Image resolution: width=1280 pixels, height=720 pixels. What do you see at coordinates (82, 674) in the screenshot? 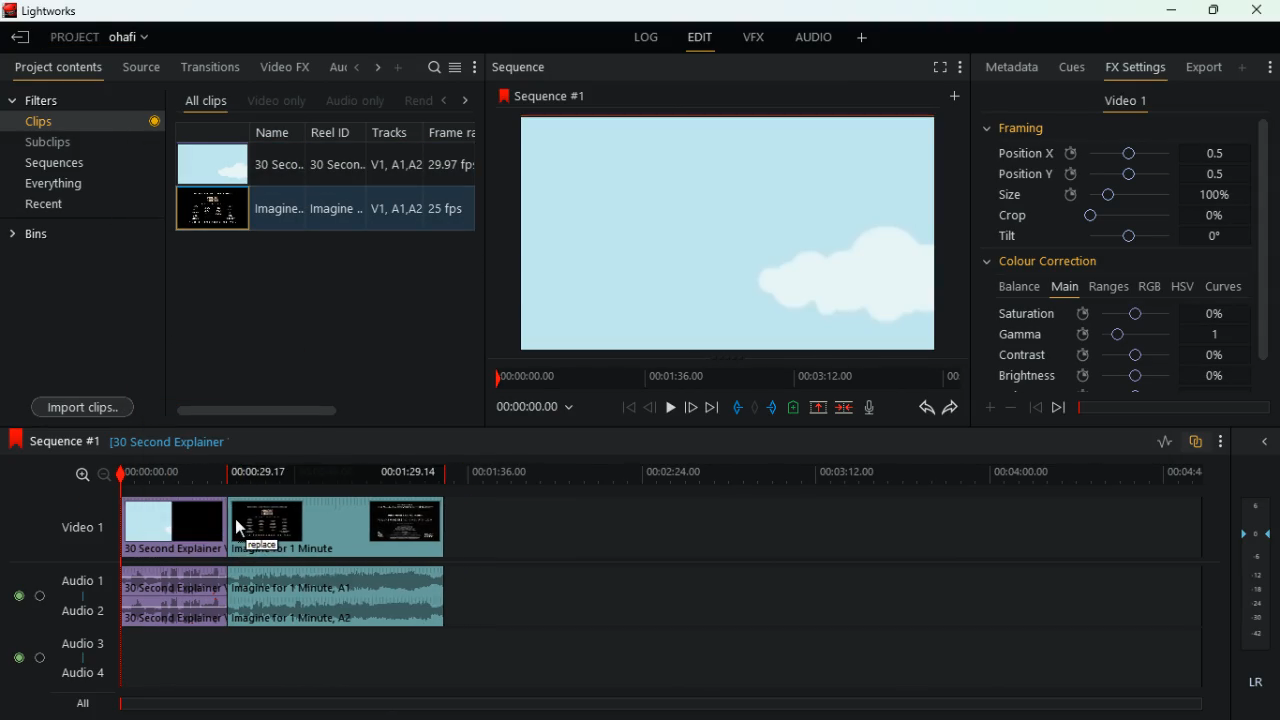
I see `audio 4` at bounding box center [82, 674].